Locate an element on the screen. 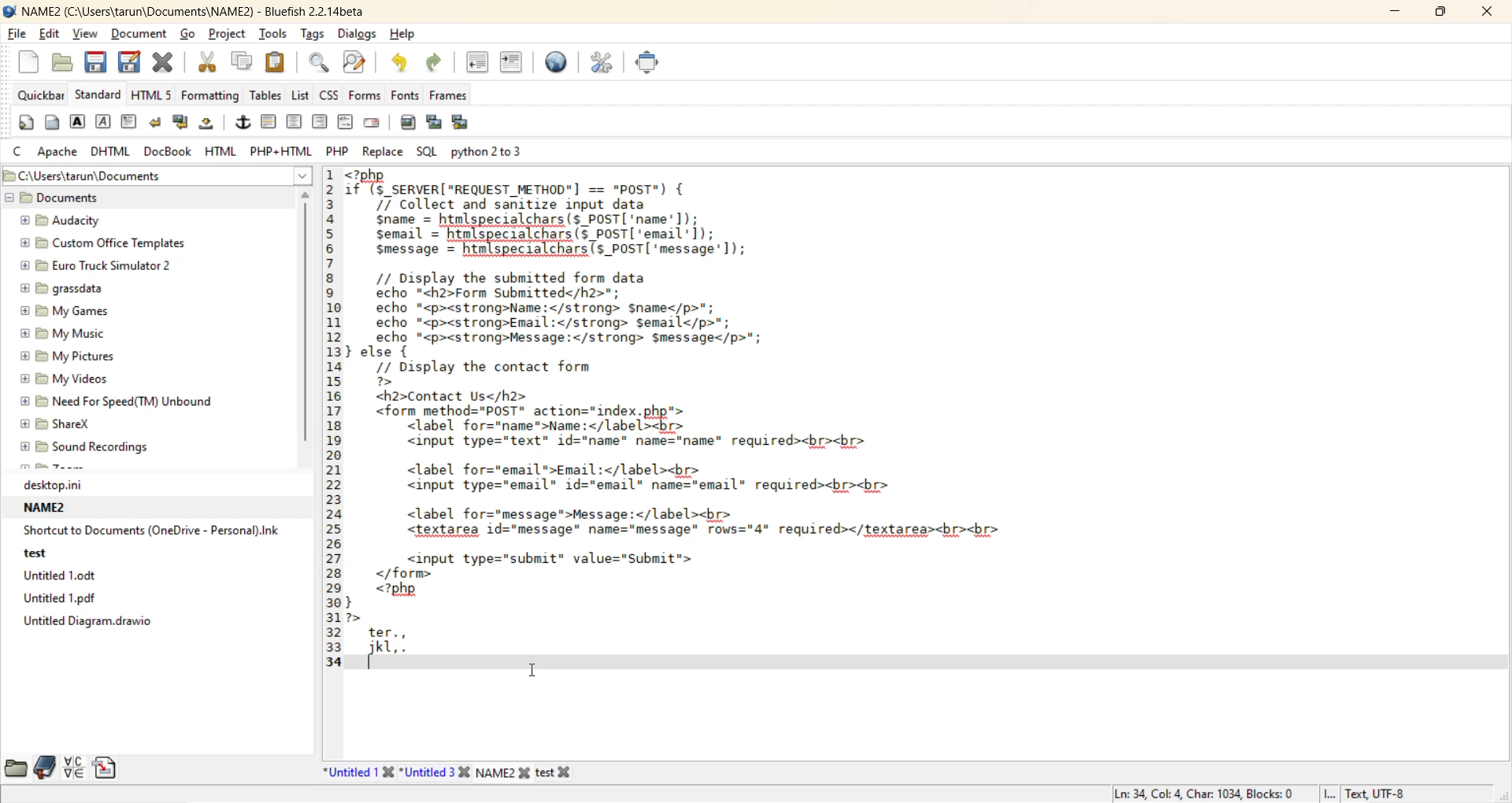 The width and height of the screenshot is (1512, 803). go is located at coordinates (191, 35).